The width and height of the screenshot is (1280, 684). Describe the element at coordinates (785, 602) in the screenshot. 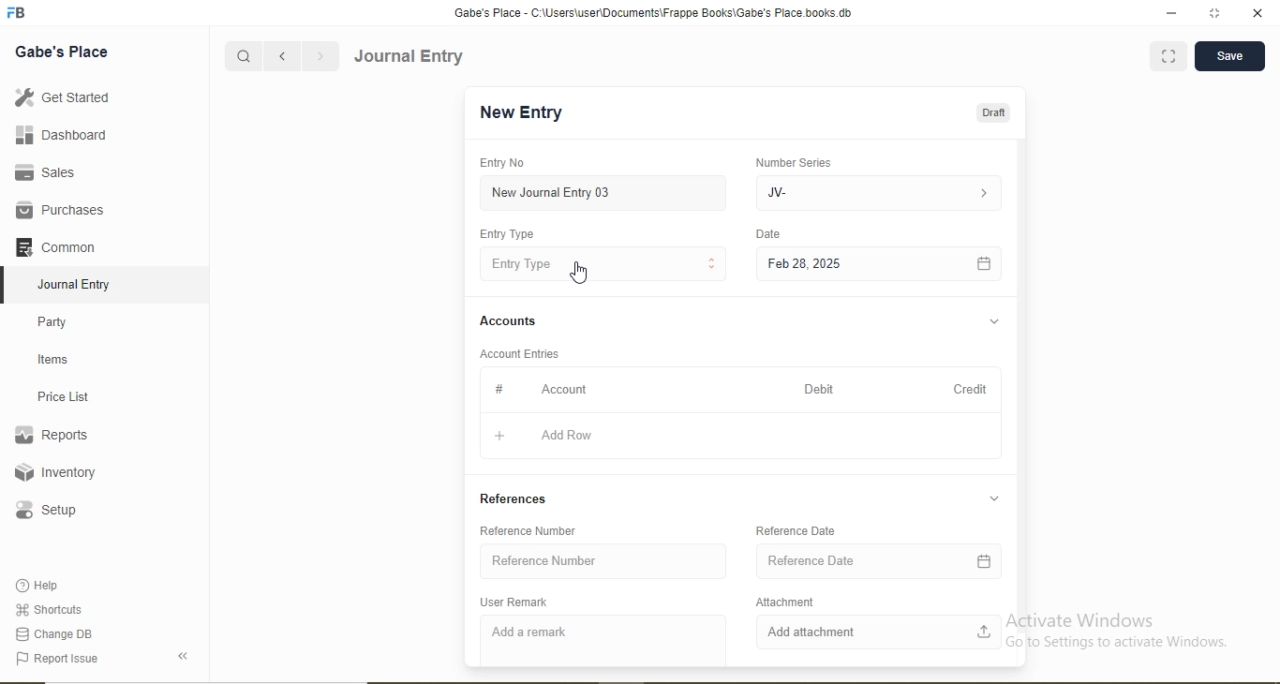

I see `Attachment` at that location.